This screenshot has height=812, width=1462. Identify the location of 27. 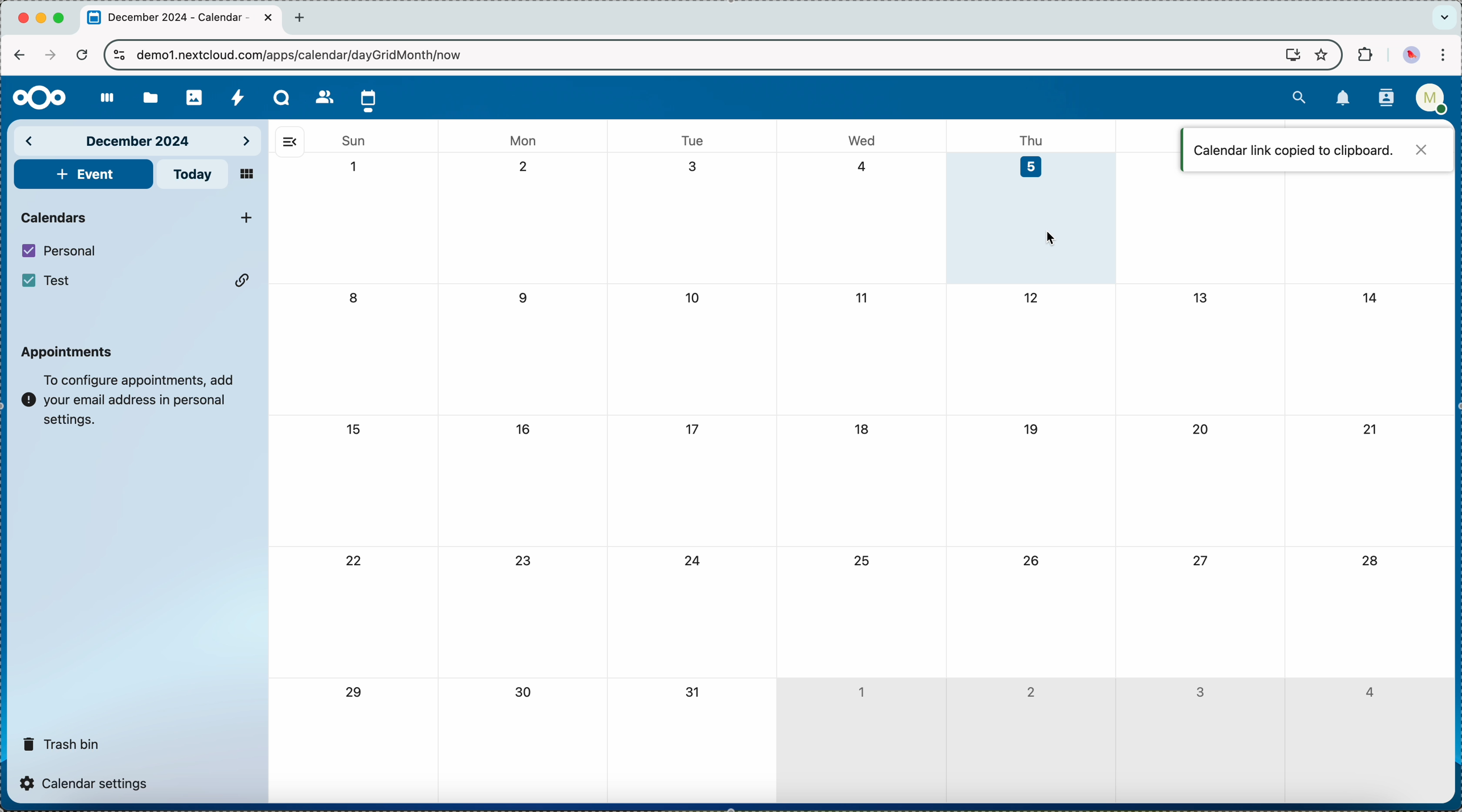
(1199, 559).